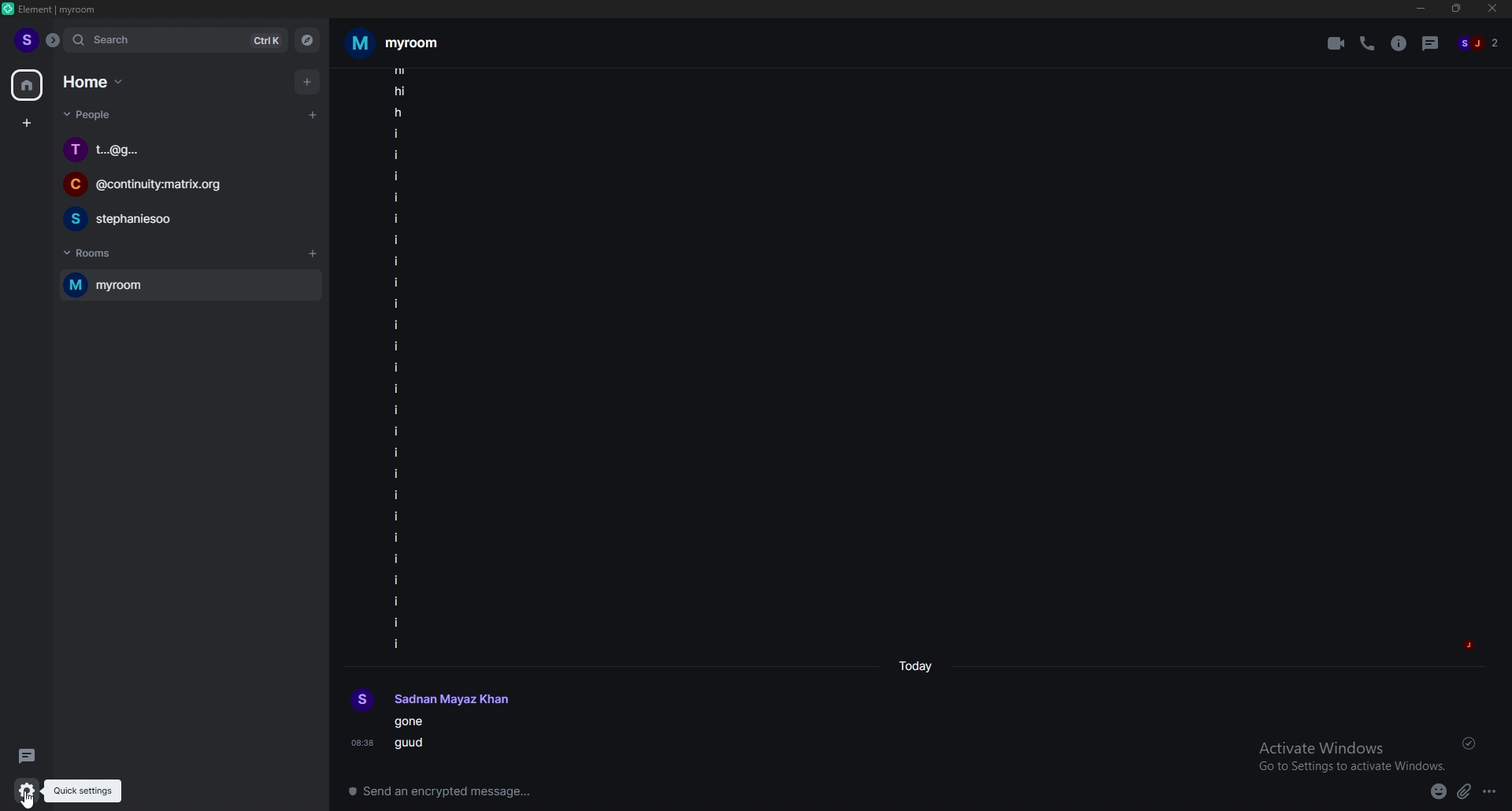 The image size is (1512, 811). What do you see at coordinates (28, 124) in the screenshot?
I see `create a space` at bounding box center [28, 124].